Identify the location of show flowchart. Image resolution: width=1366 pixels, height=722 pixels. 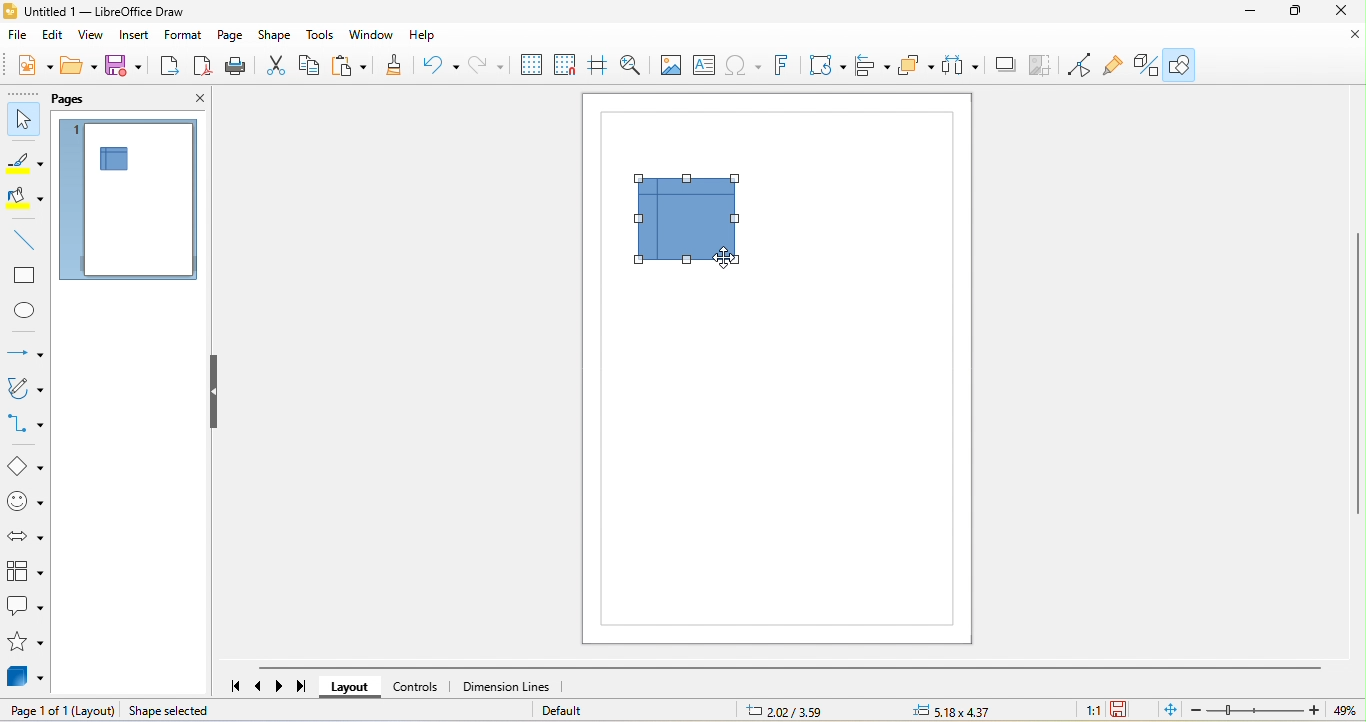
(121, 160).